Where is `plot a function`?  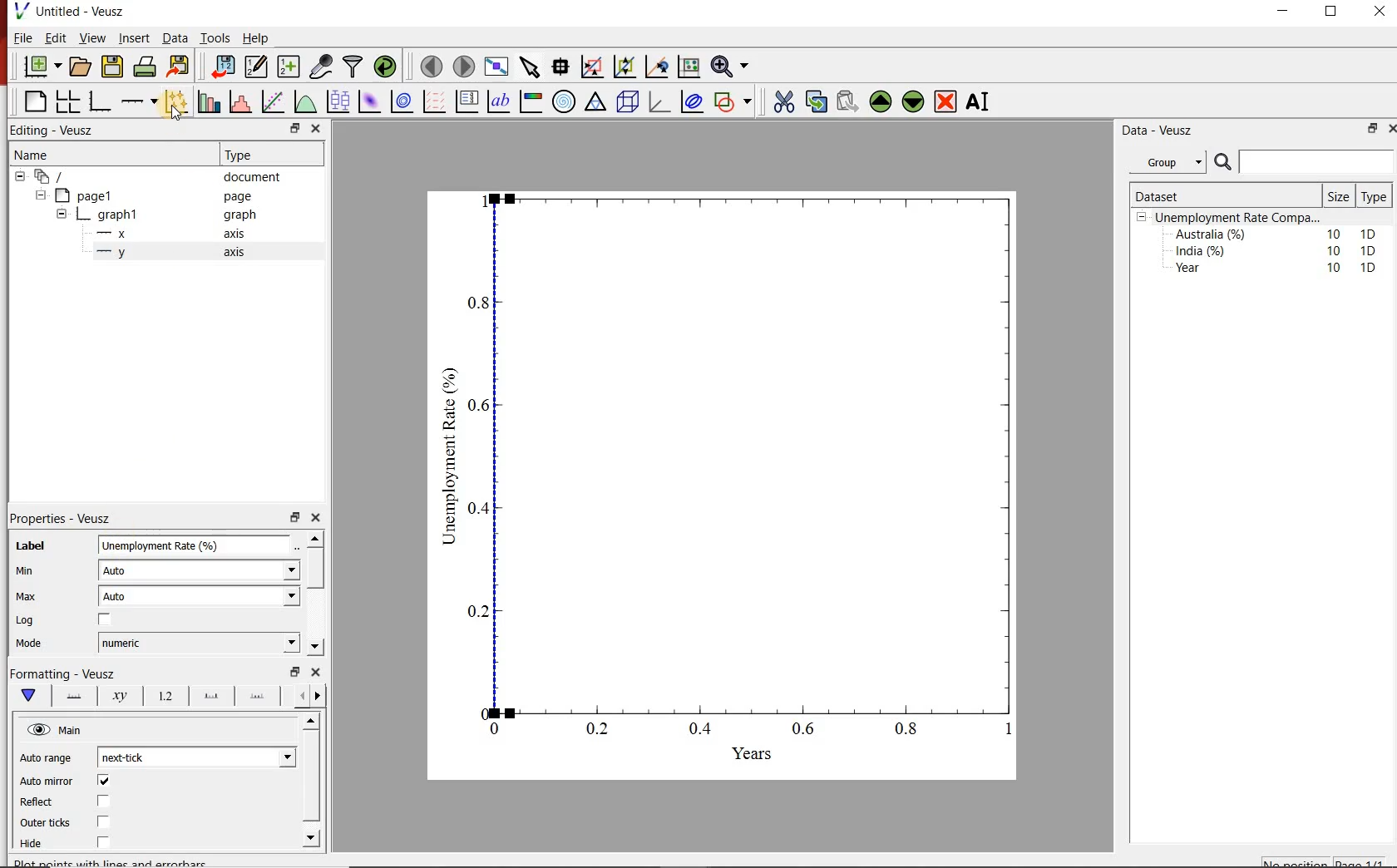
plot a function is located at coordinates (305, 101).